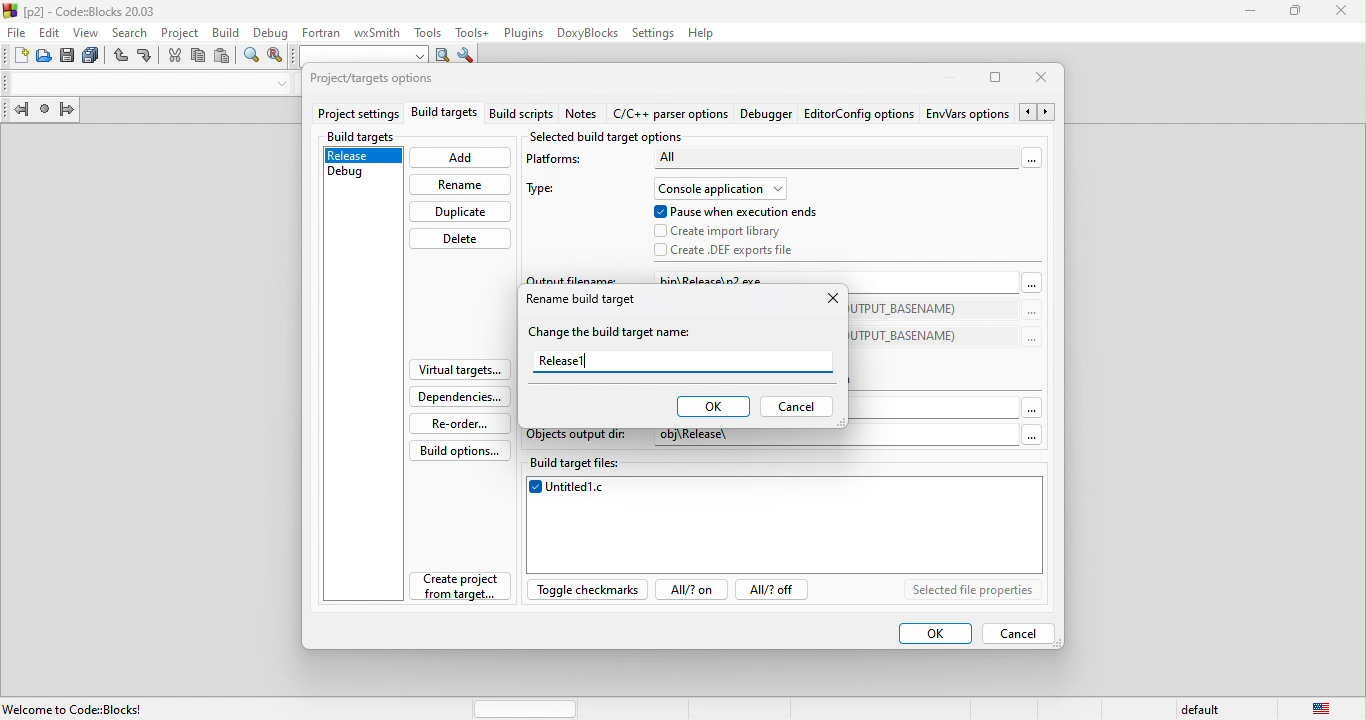 The width and height of the screenshot is (1366, 720). Describe the element at coordinates (459, 240) in the screenshot. I see `delete` at that location.